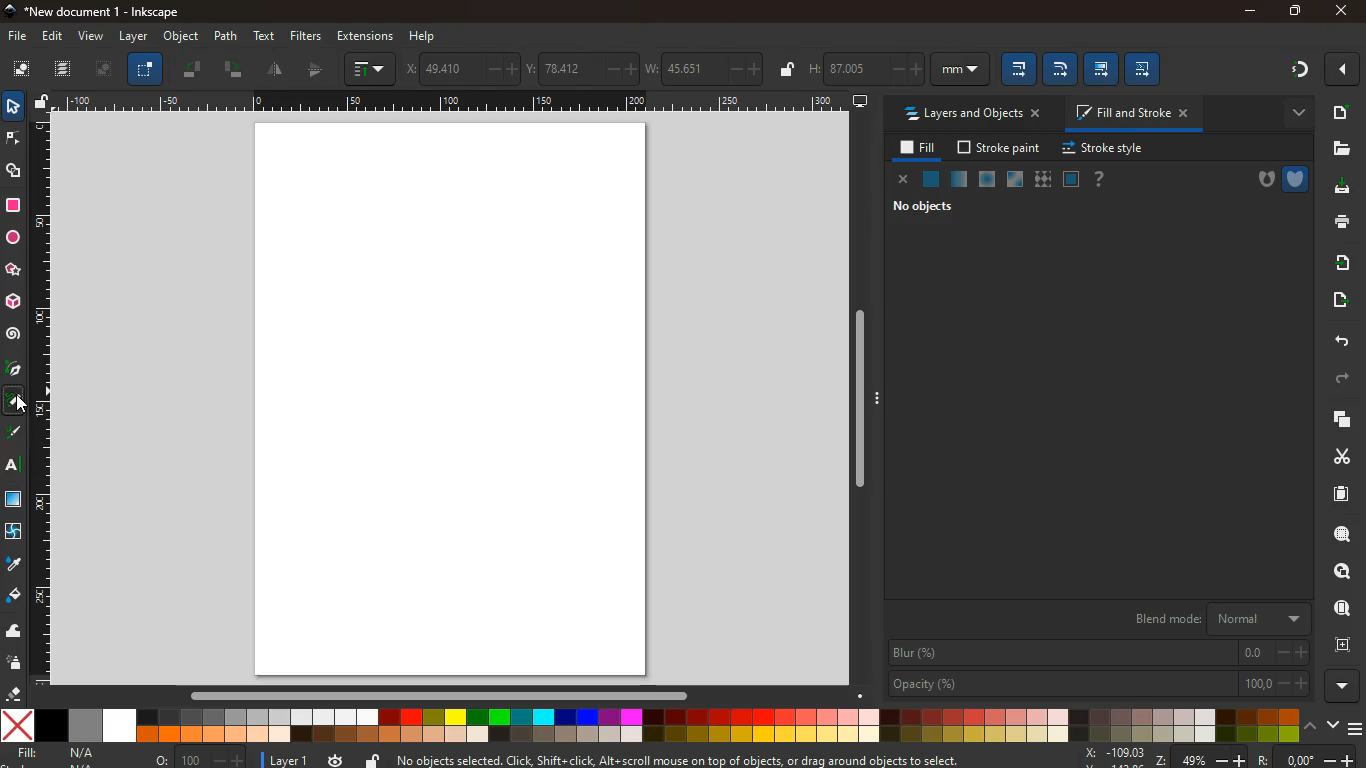  Describe the element at coordinates (863, 67) in the screenshot. I see `H` at that location.